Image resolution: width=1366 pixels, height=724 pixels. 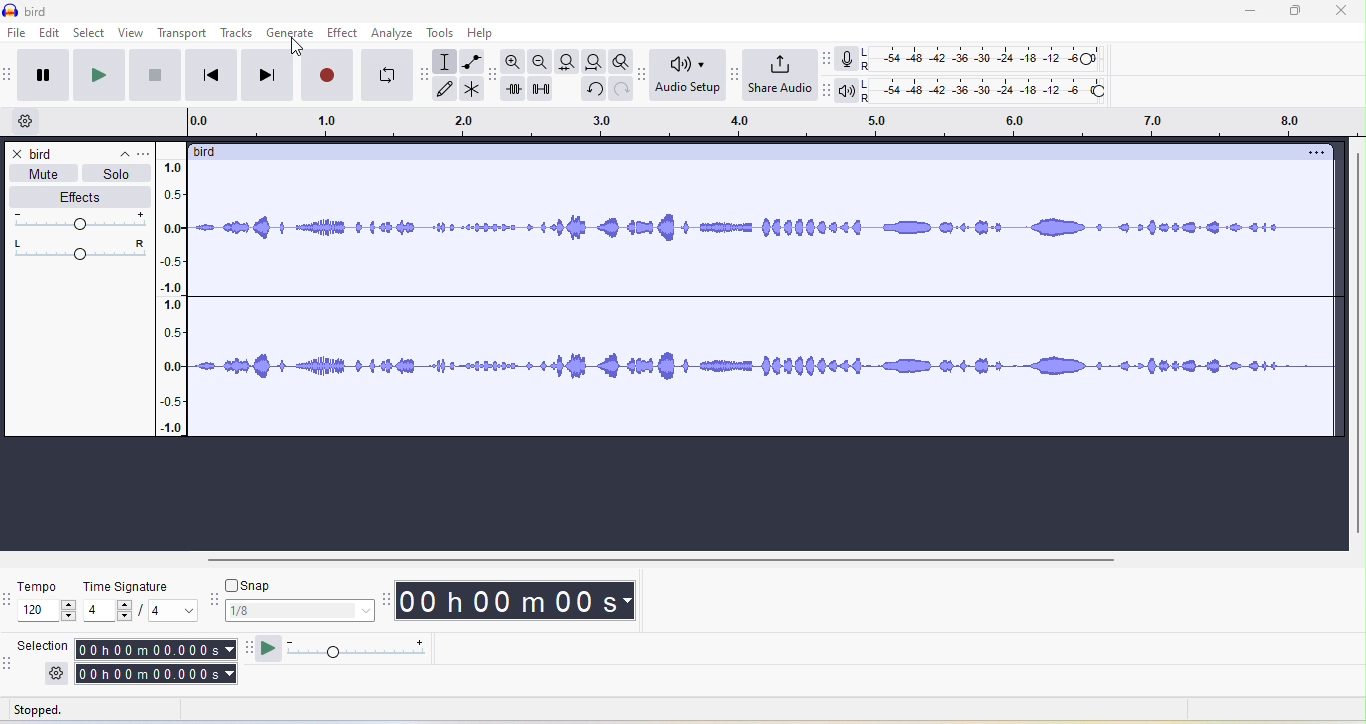 I want to click on fit project to width, so click(x=596, y=61).